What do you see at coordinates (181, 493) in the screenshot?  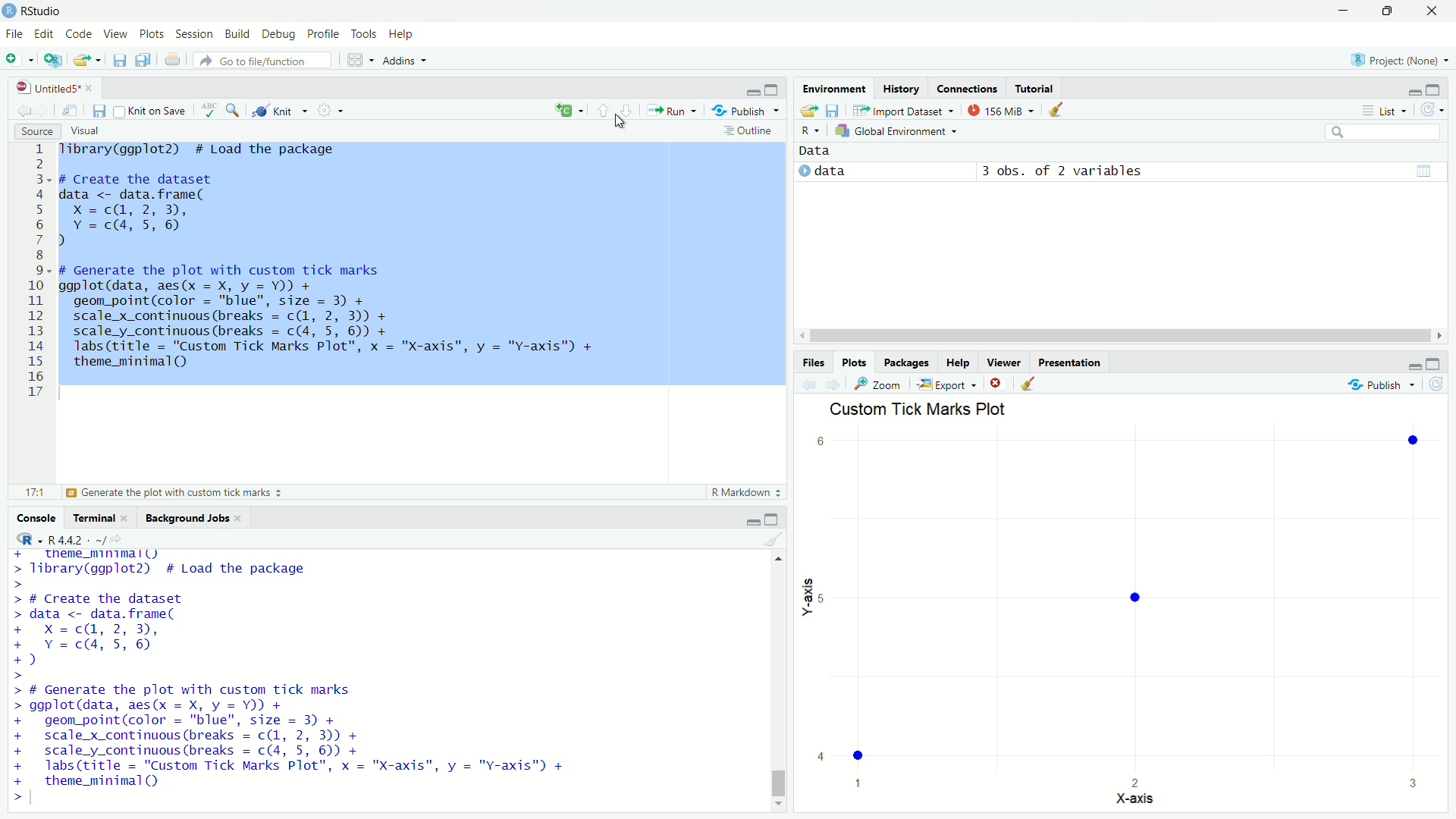 I see `generate the plot with custom tick marks` at bounding box center [181, 493].